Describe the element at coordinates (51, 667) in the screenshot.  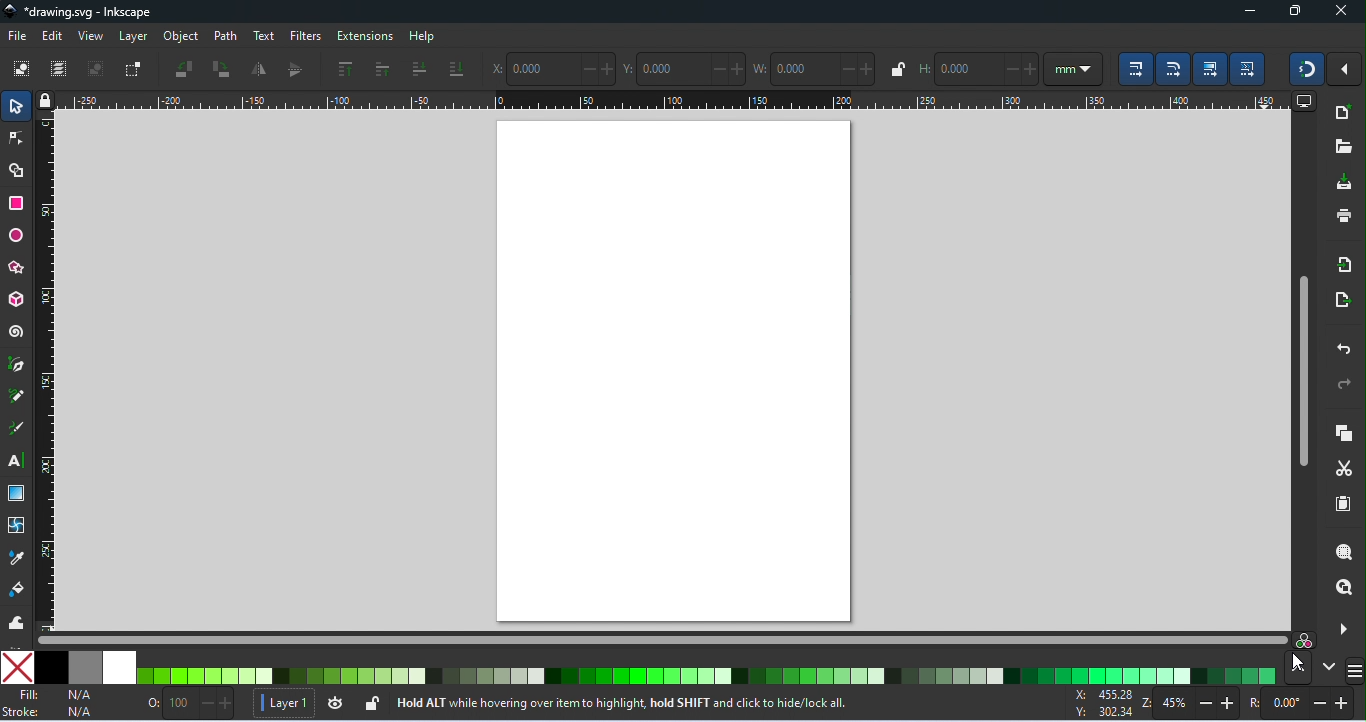
I see `black` at that location.